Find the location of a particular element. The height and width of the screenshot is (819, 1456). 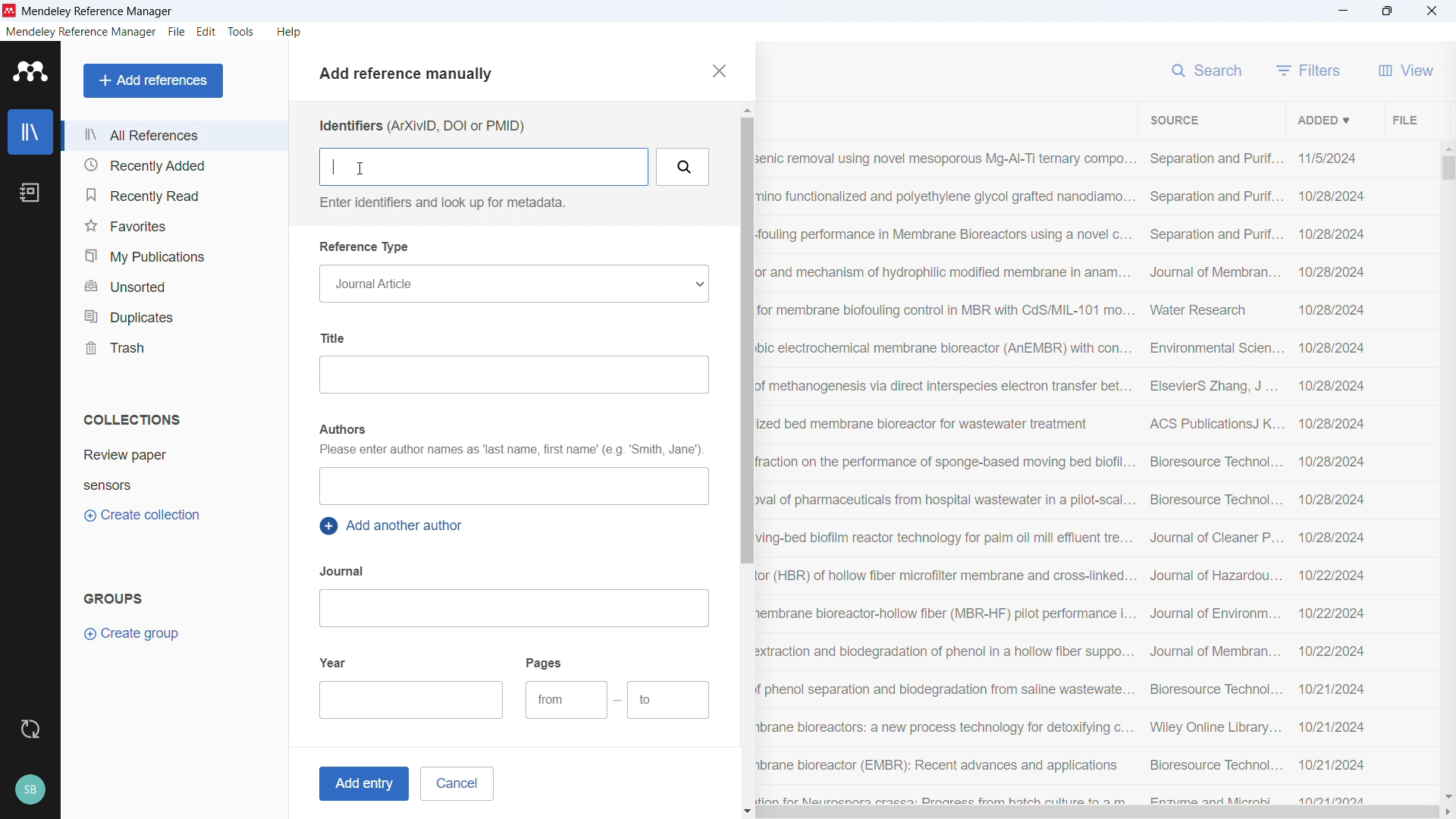

Add another author  is located at coordinates (394, 526).